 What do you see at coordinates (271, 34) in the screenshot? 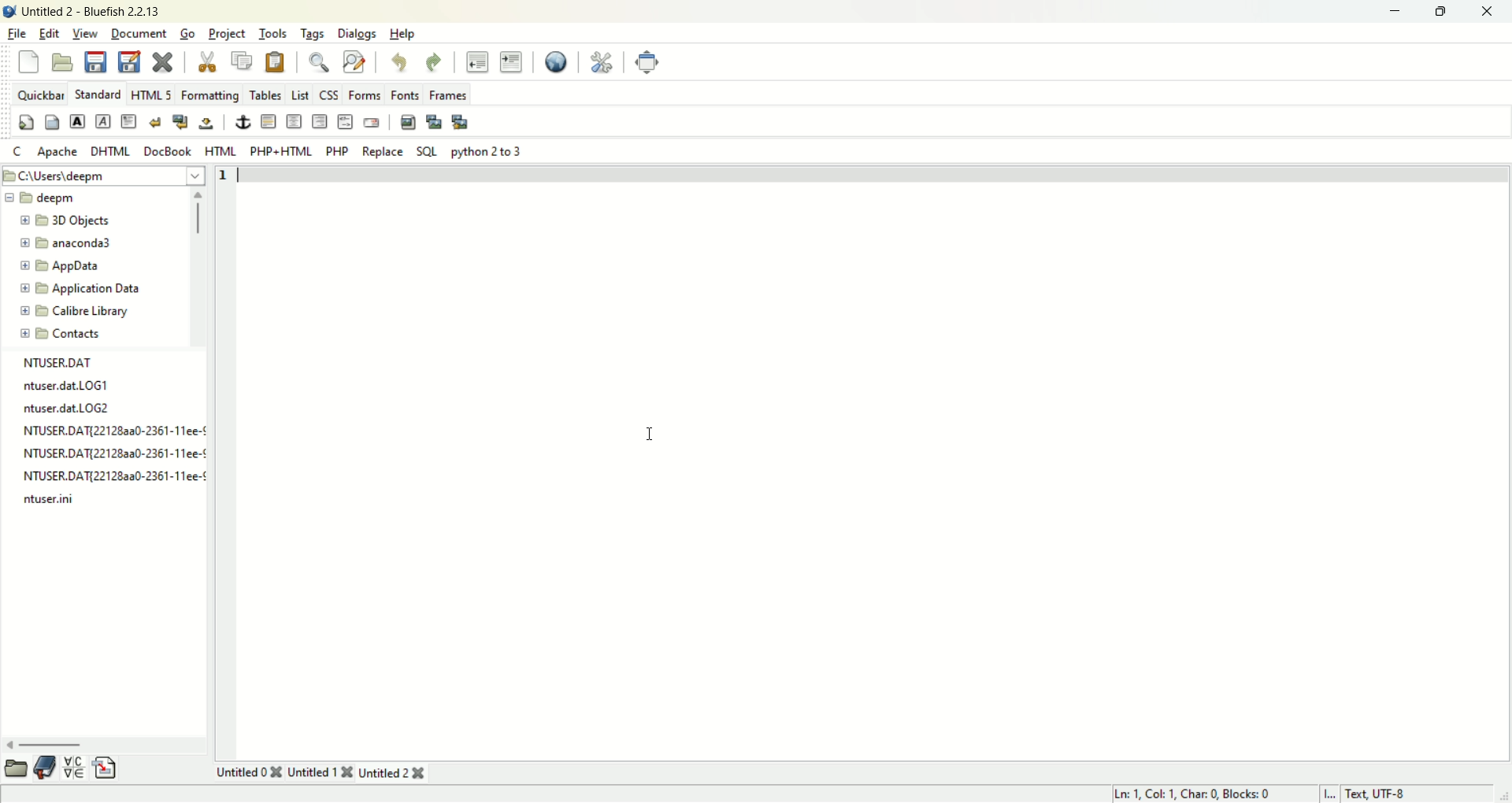
I see `tools` at bounding box center [271, 34].